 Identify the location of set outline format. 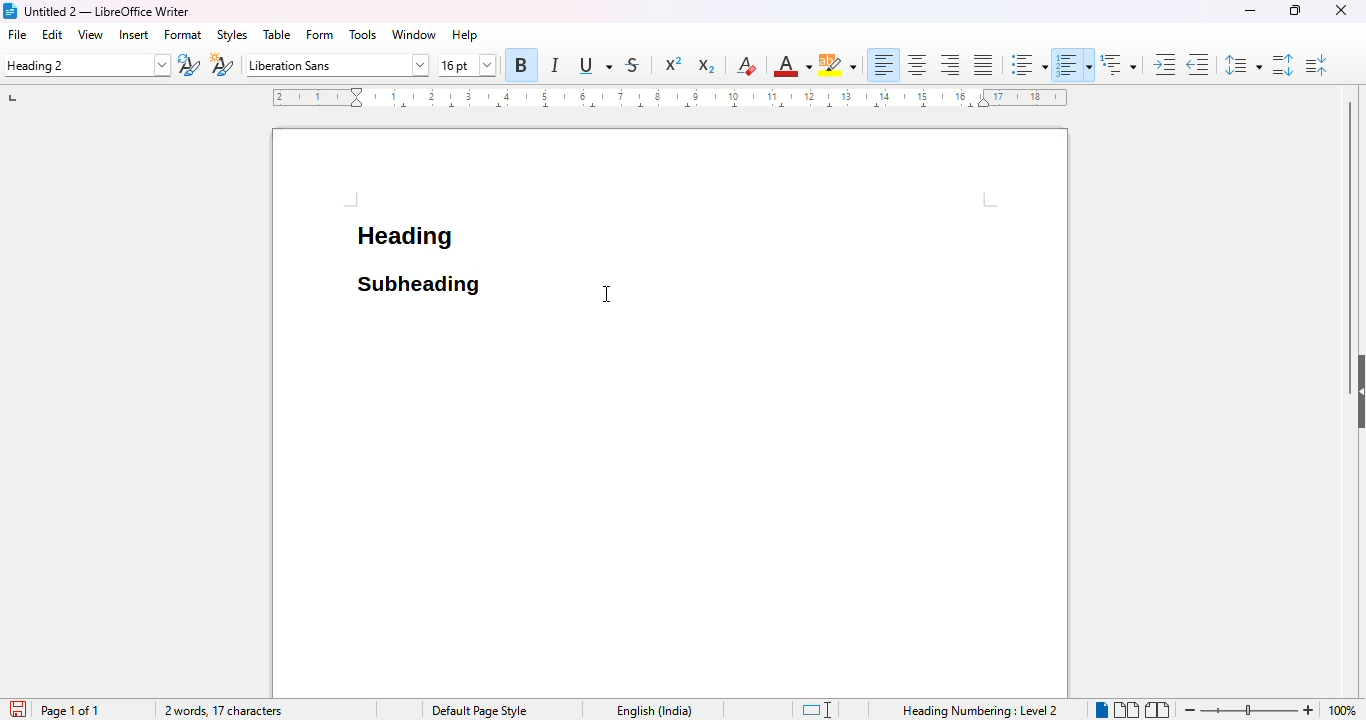
(1118, 64).